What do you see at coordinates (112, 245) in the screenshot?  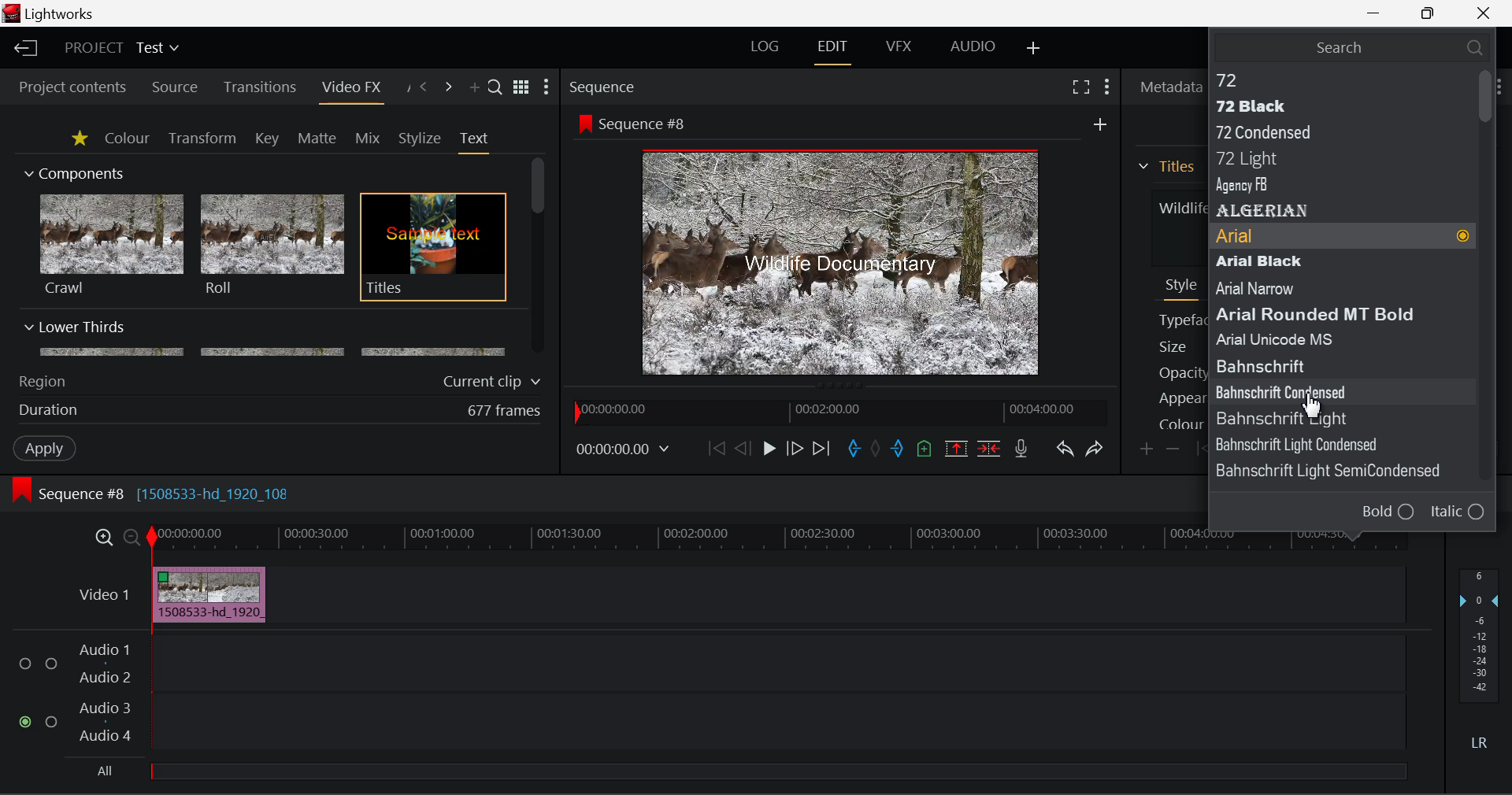 I see `Crawl` at bounding box center [112, 245].